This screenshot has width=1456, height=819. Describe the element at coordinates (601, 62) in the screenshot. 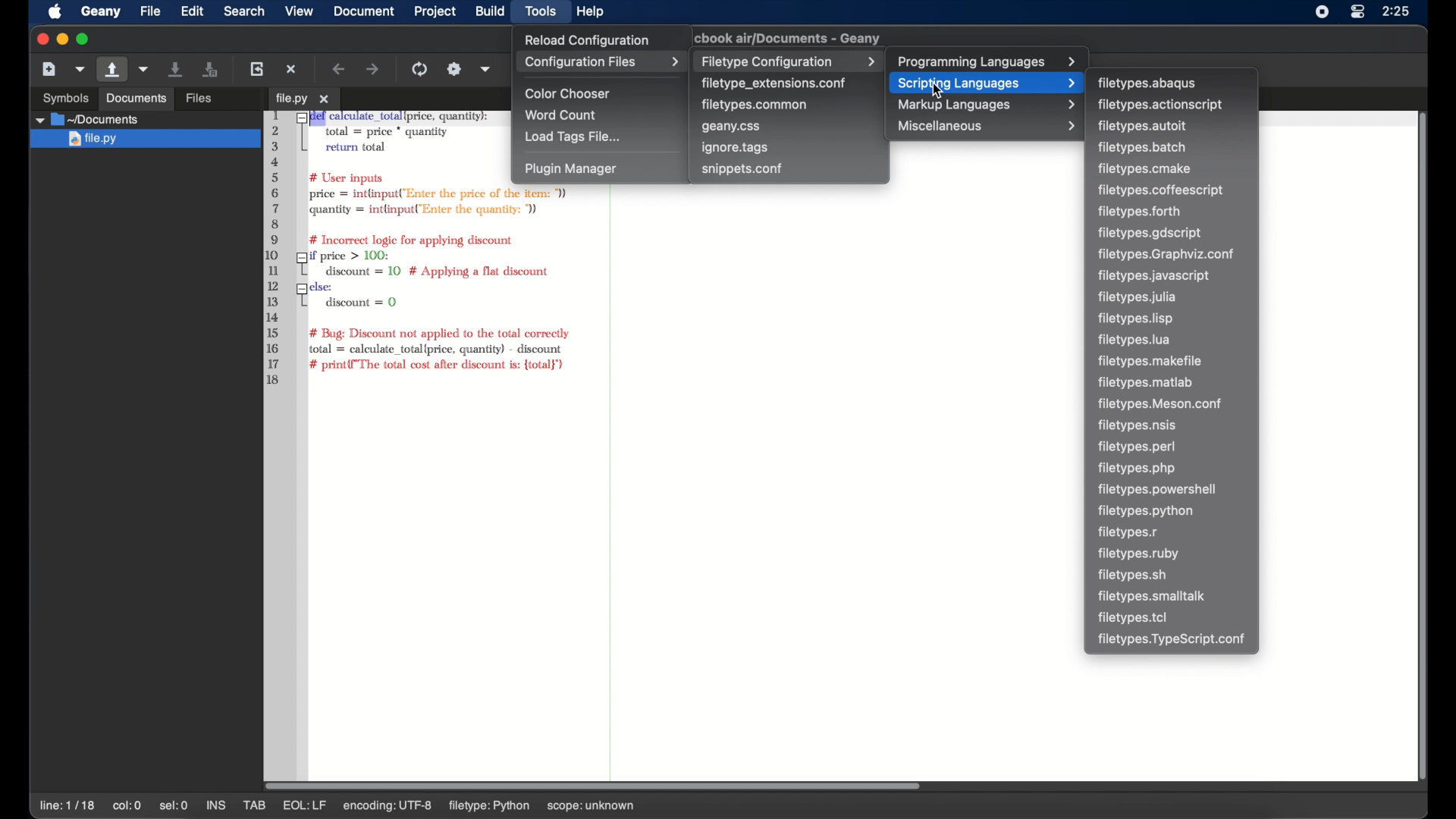

I see `configuration files menu` at that location.